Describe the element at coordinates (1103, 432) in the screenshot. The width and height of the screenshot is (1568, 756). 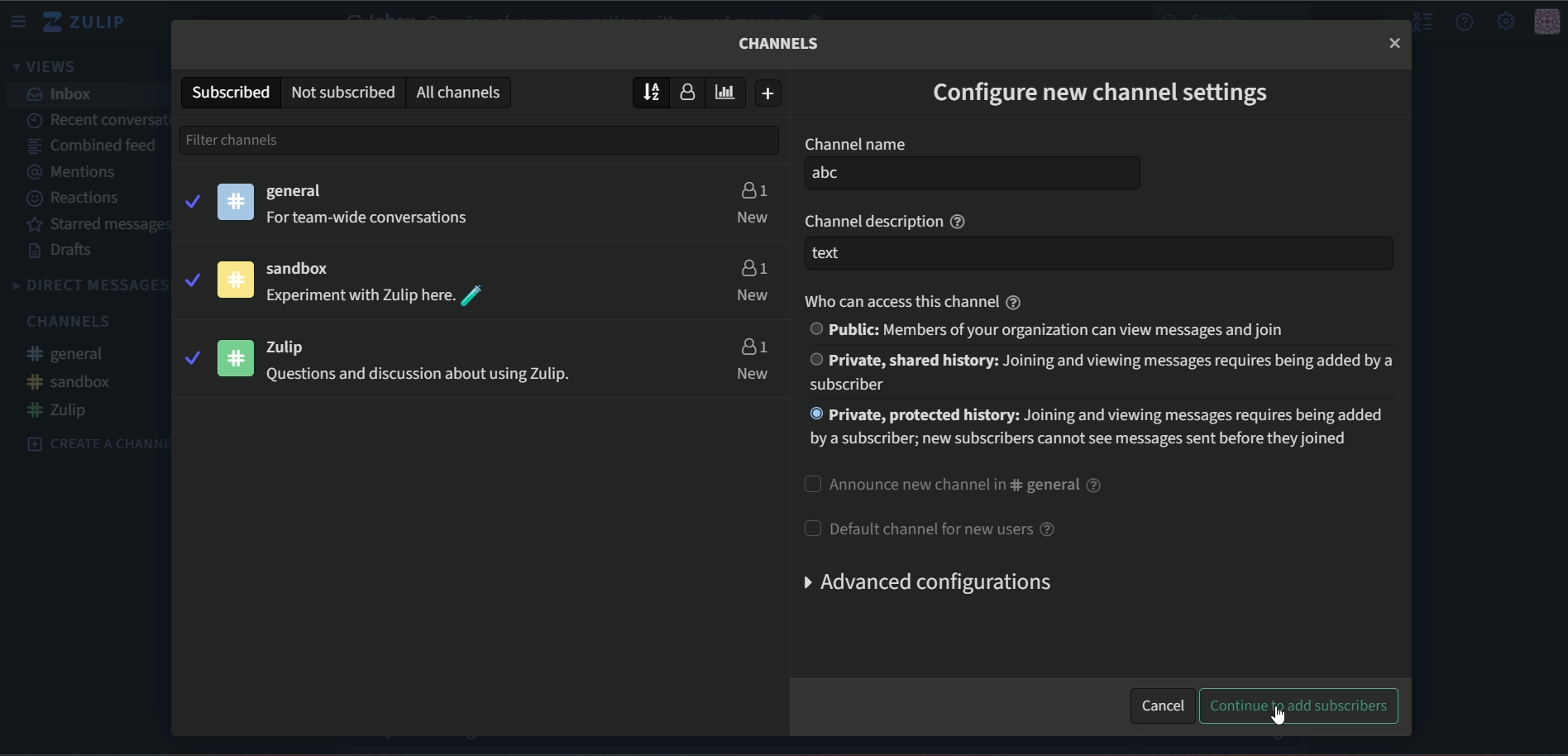
I see ` Private, protected history: Joining and viewing messages requires being addedby a subscriber; new subscribers cannot see messages sent before they joined` at that location.